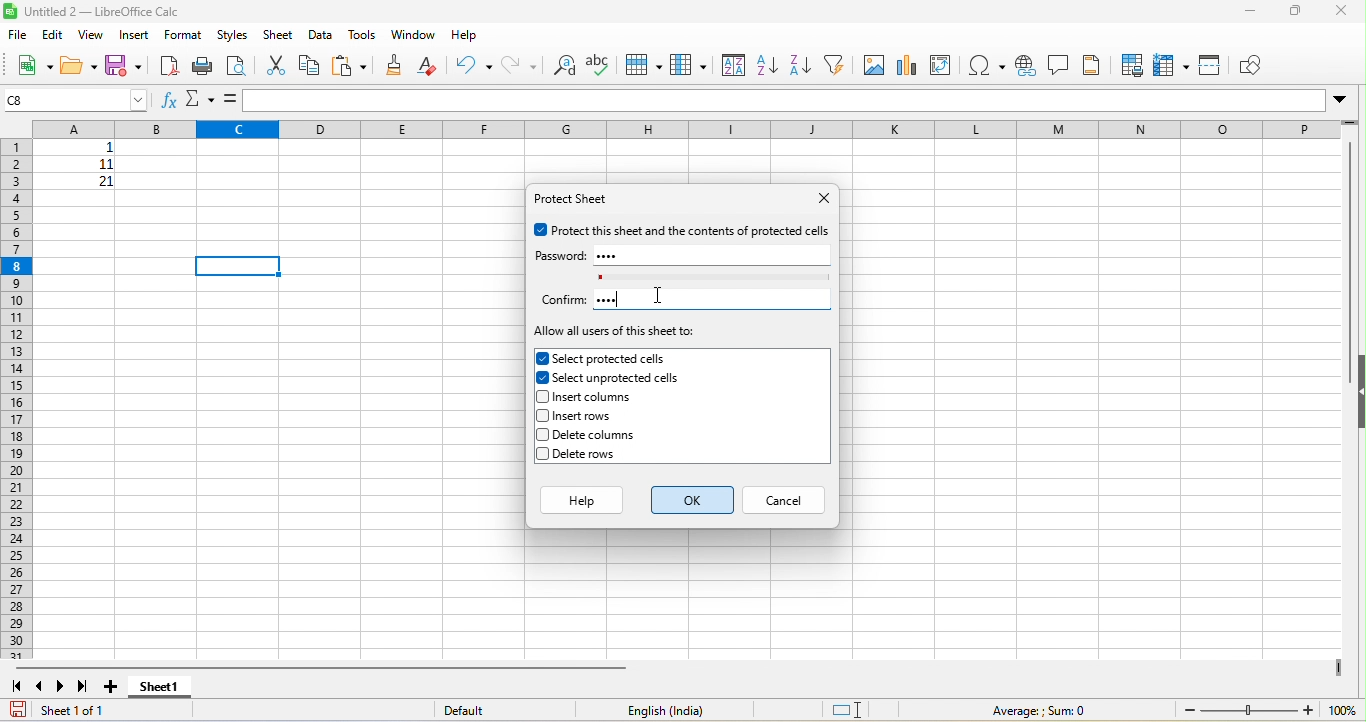  I want to click on column, so click(688, 64).